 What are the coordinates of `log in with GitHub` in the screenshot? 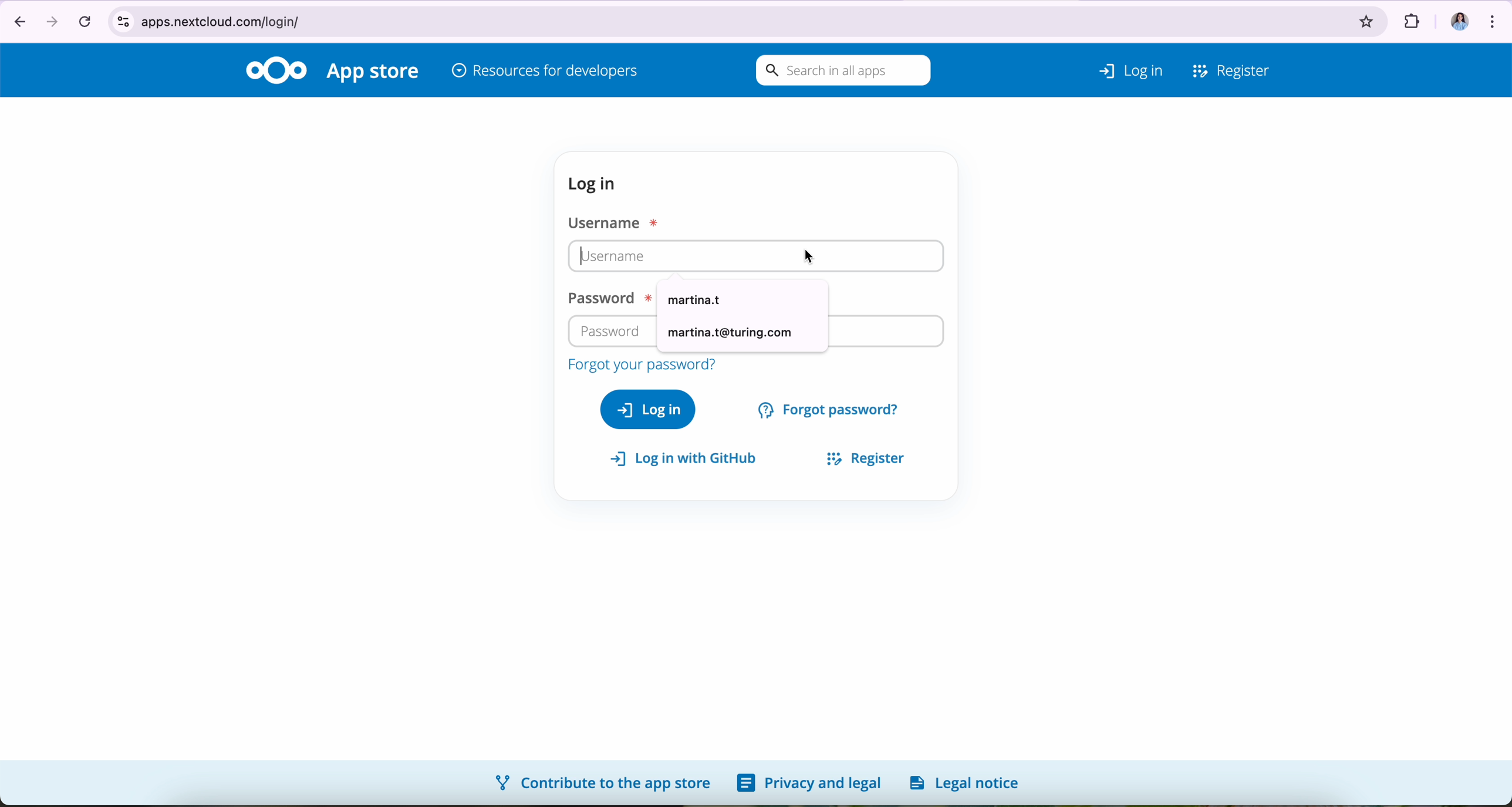 It's located at (689, 459).